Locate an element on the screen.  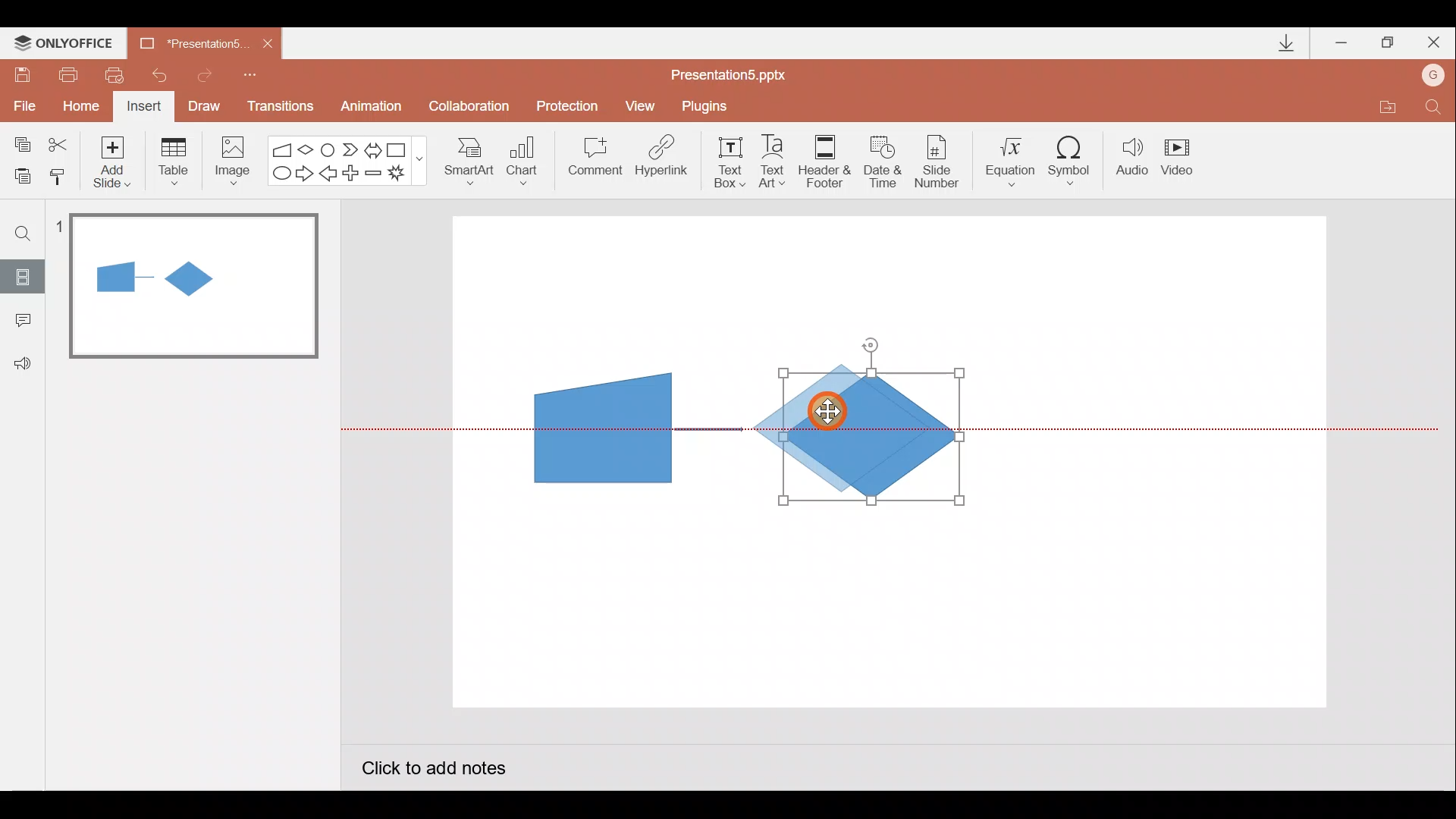
Rectangle is located at coordinates (400, 149).